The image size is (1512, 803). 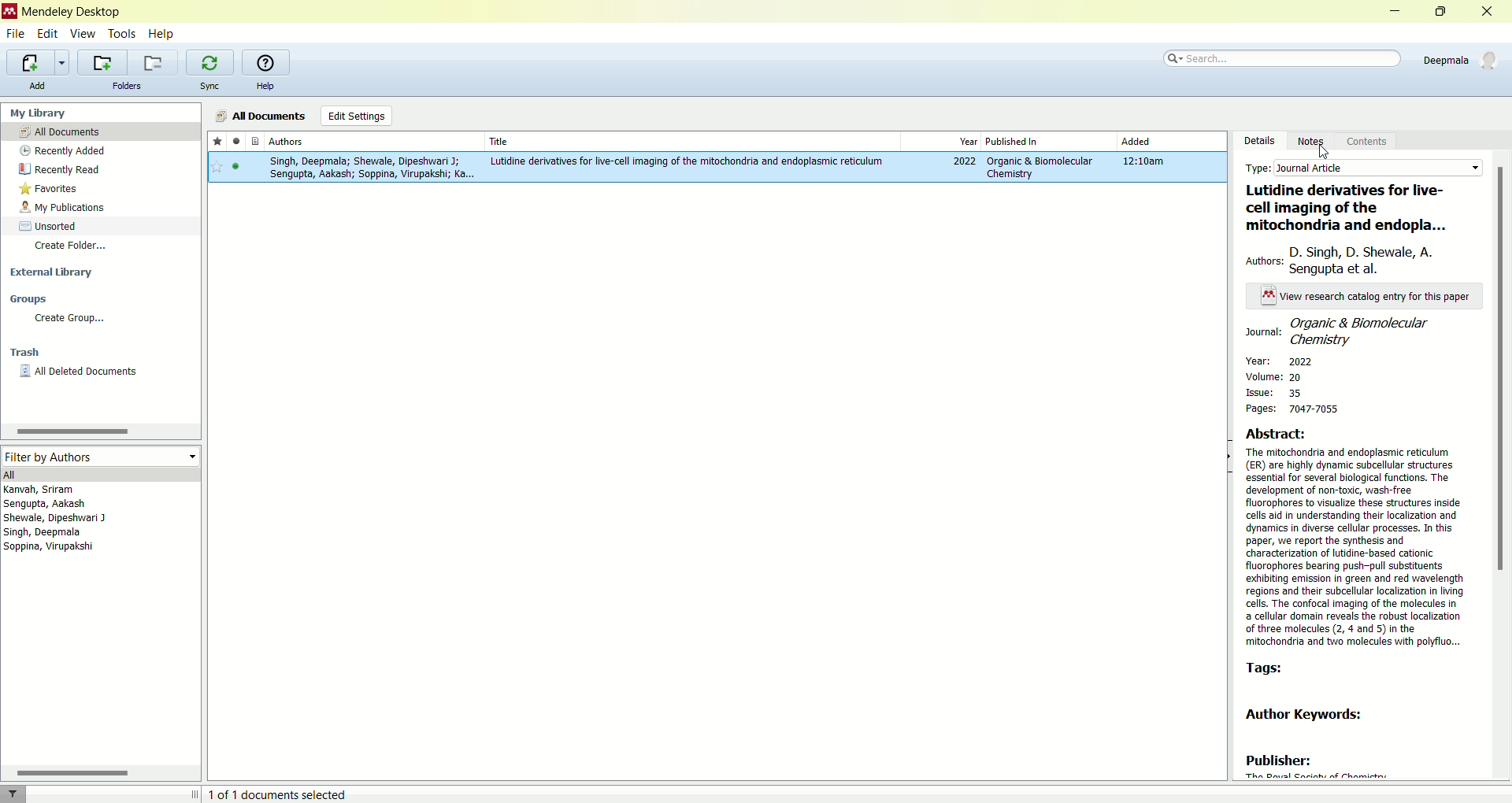 What do you see at coordinates (1503, 370) in the screenshot?
I see `Vertical scrollbar` at bounding box center [1503, 370].